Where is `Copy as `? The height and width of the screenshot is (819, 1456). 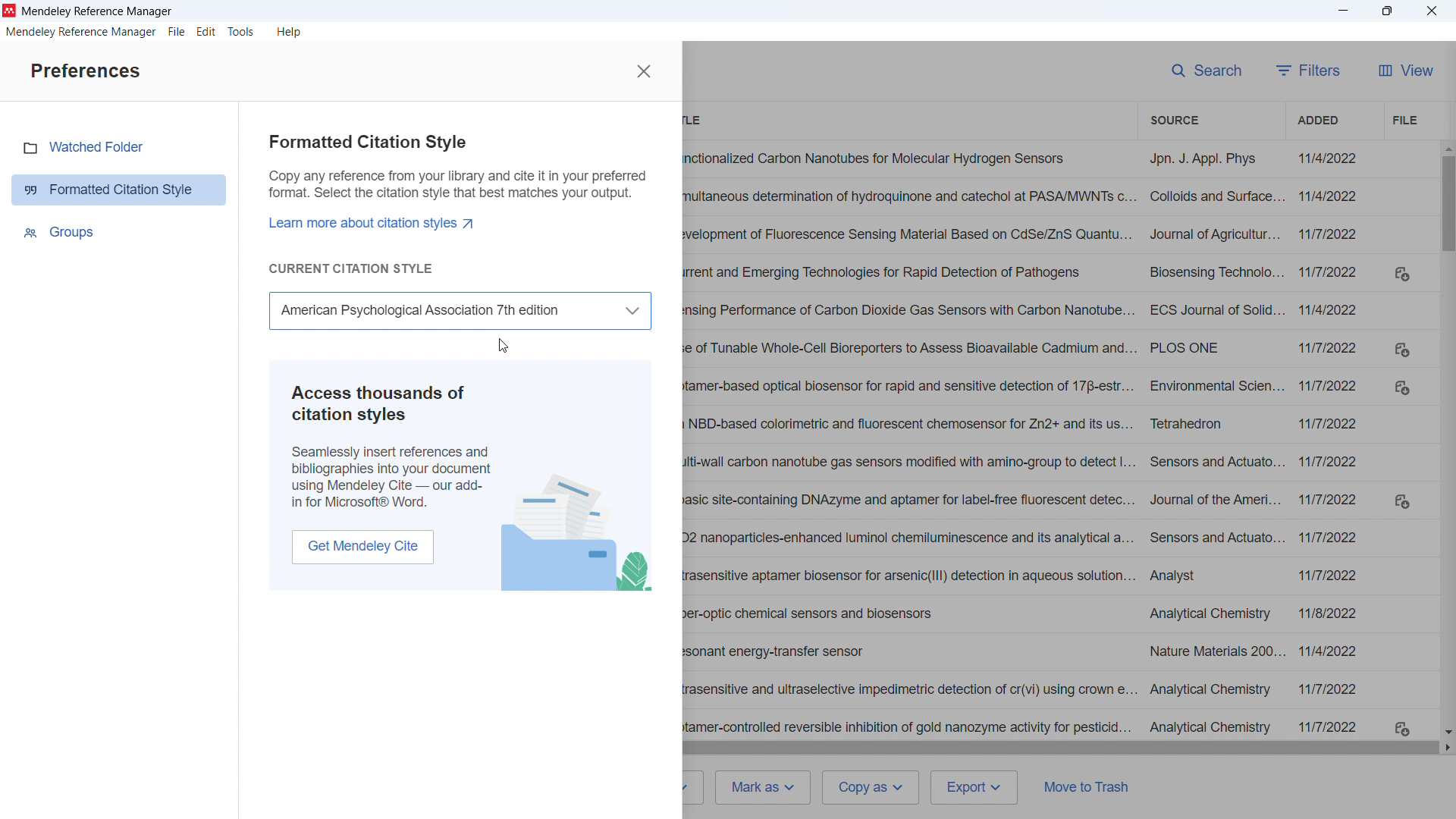
Copy as  is located at coordinates (871, 788).